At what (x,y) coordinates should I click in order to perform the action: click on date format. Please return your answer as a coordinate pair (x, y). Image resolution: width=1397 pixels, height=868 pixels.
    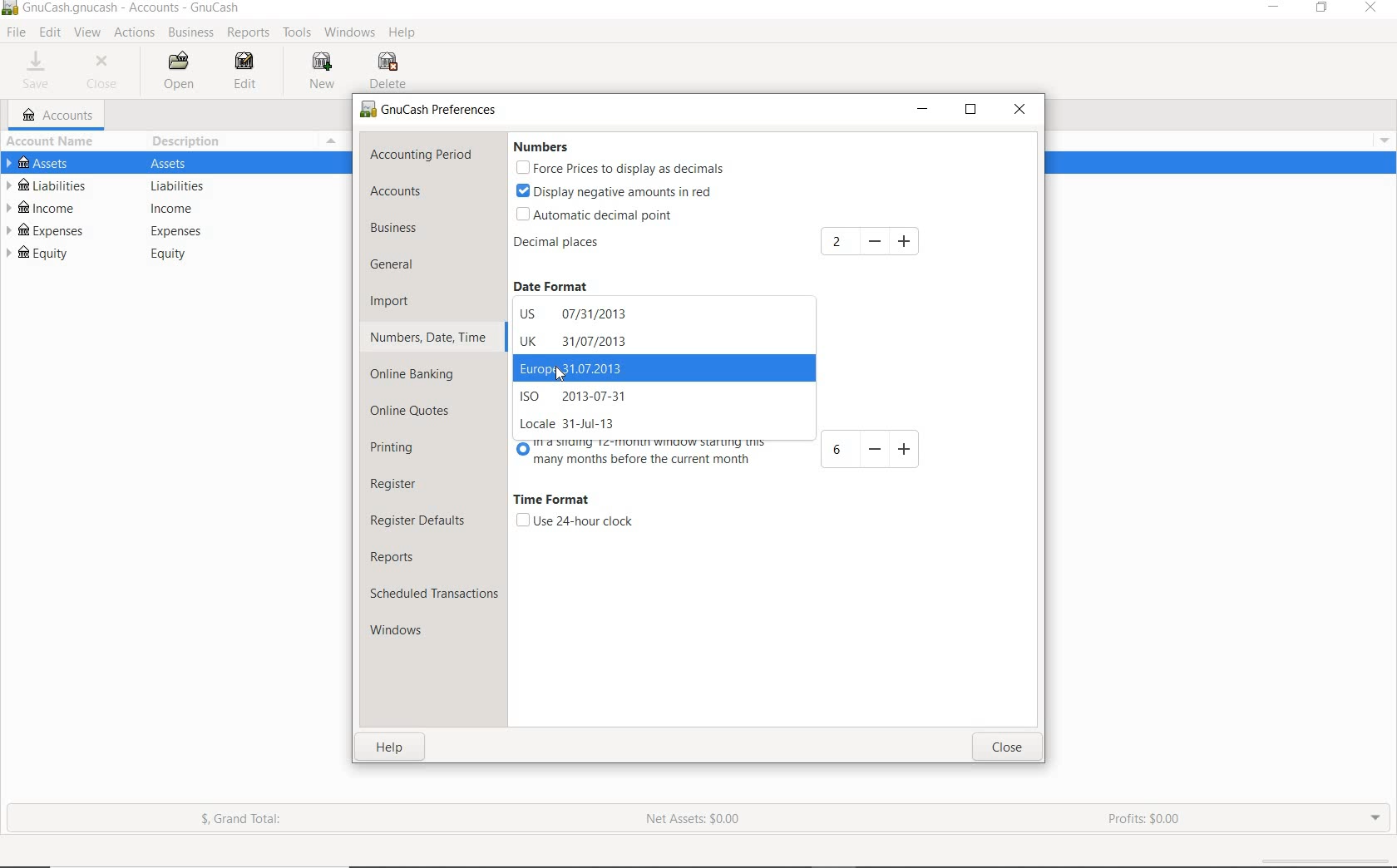
    Looking at the image, I should click on (564, 287).